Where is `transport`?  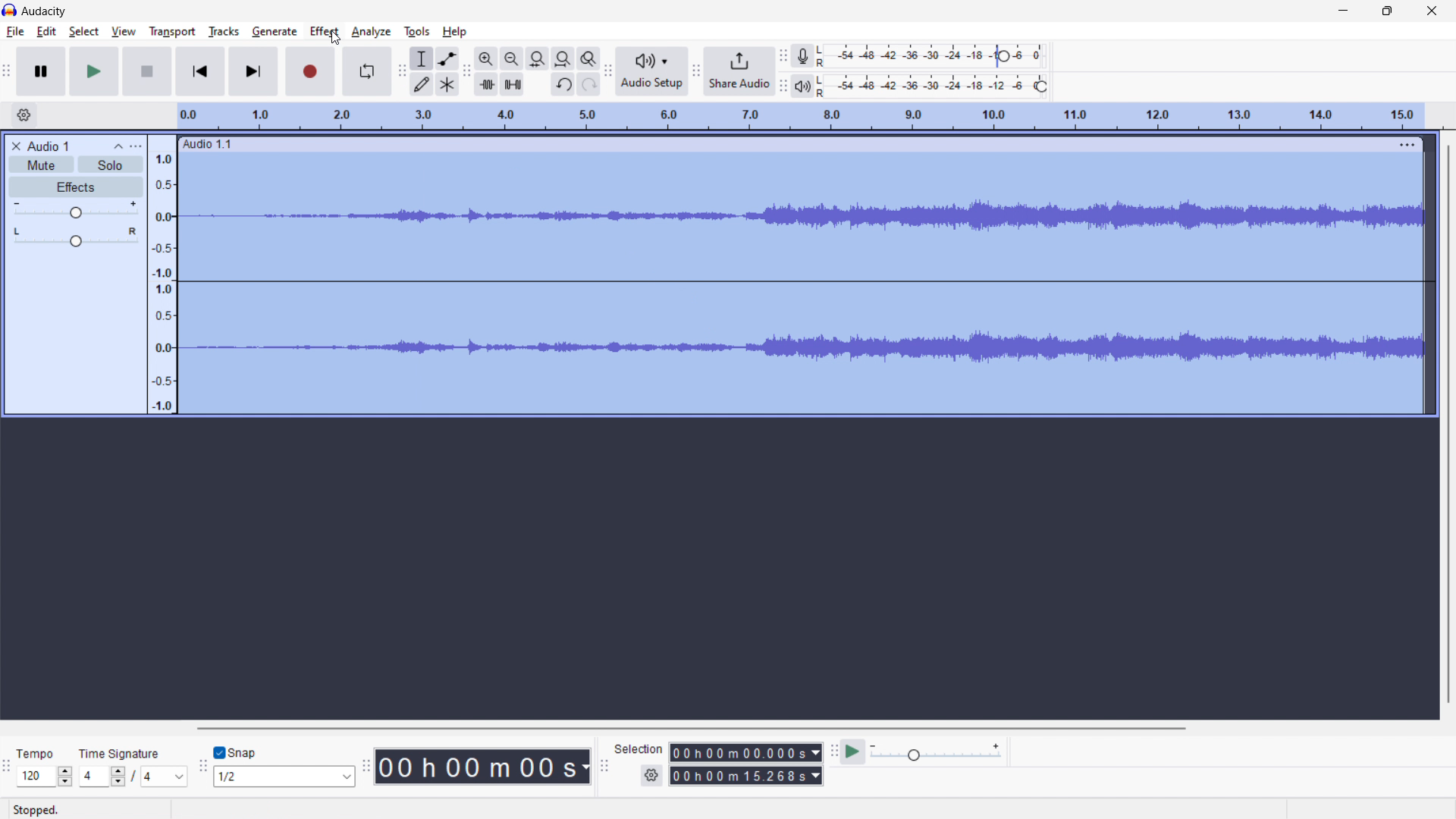
transport is located at coordinates (172, 33).